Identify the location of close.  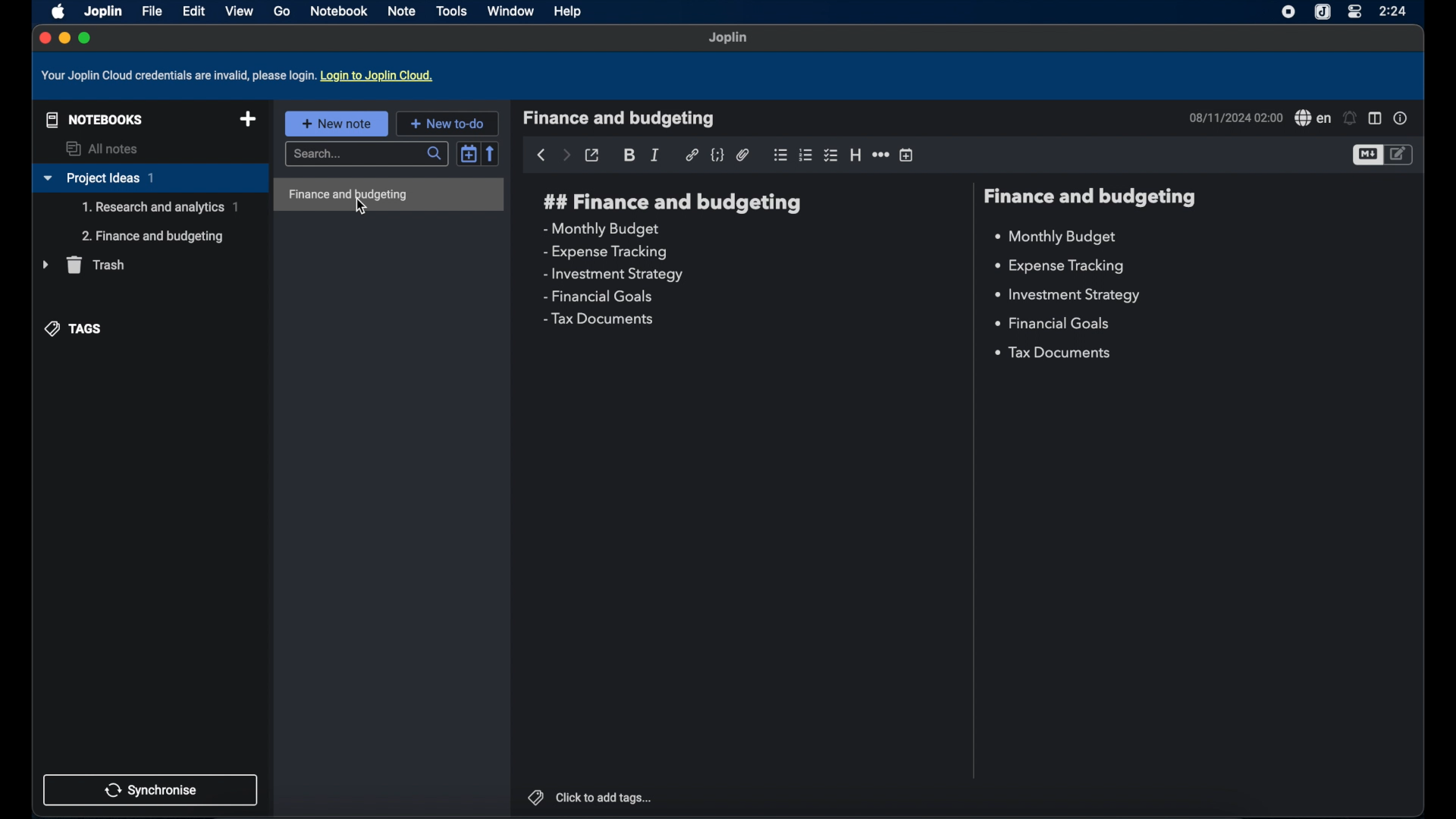
(43, 37).